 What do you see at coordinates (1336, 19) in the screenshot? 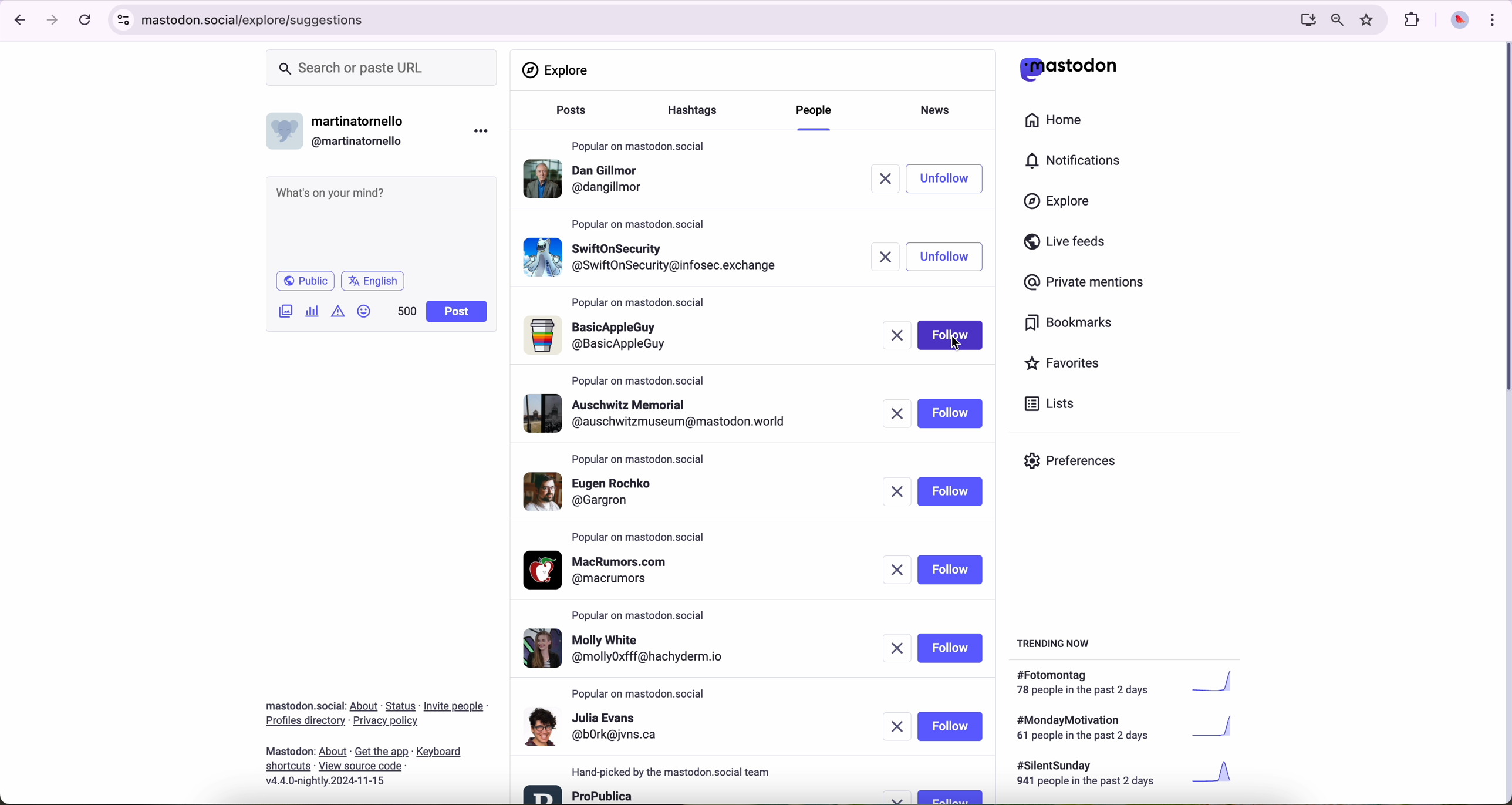
I see `zoom out` at bounding box center [1336, 19].